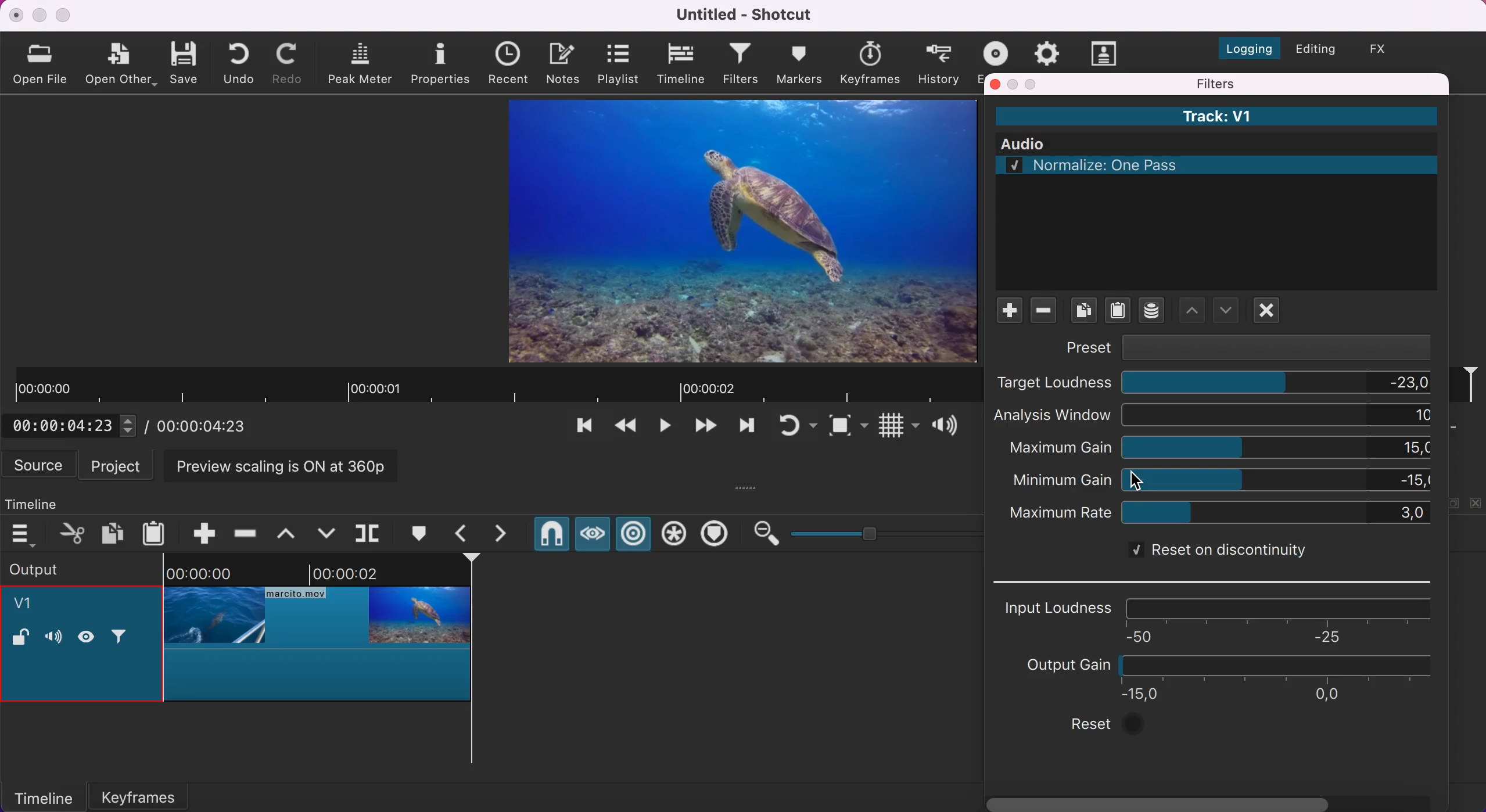 The image size is (1486, 812). I want to click on toggle player looping, so click(796, 427).